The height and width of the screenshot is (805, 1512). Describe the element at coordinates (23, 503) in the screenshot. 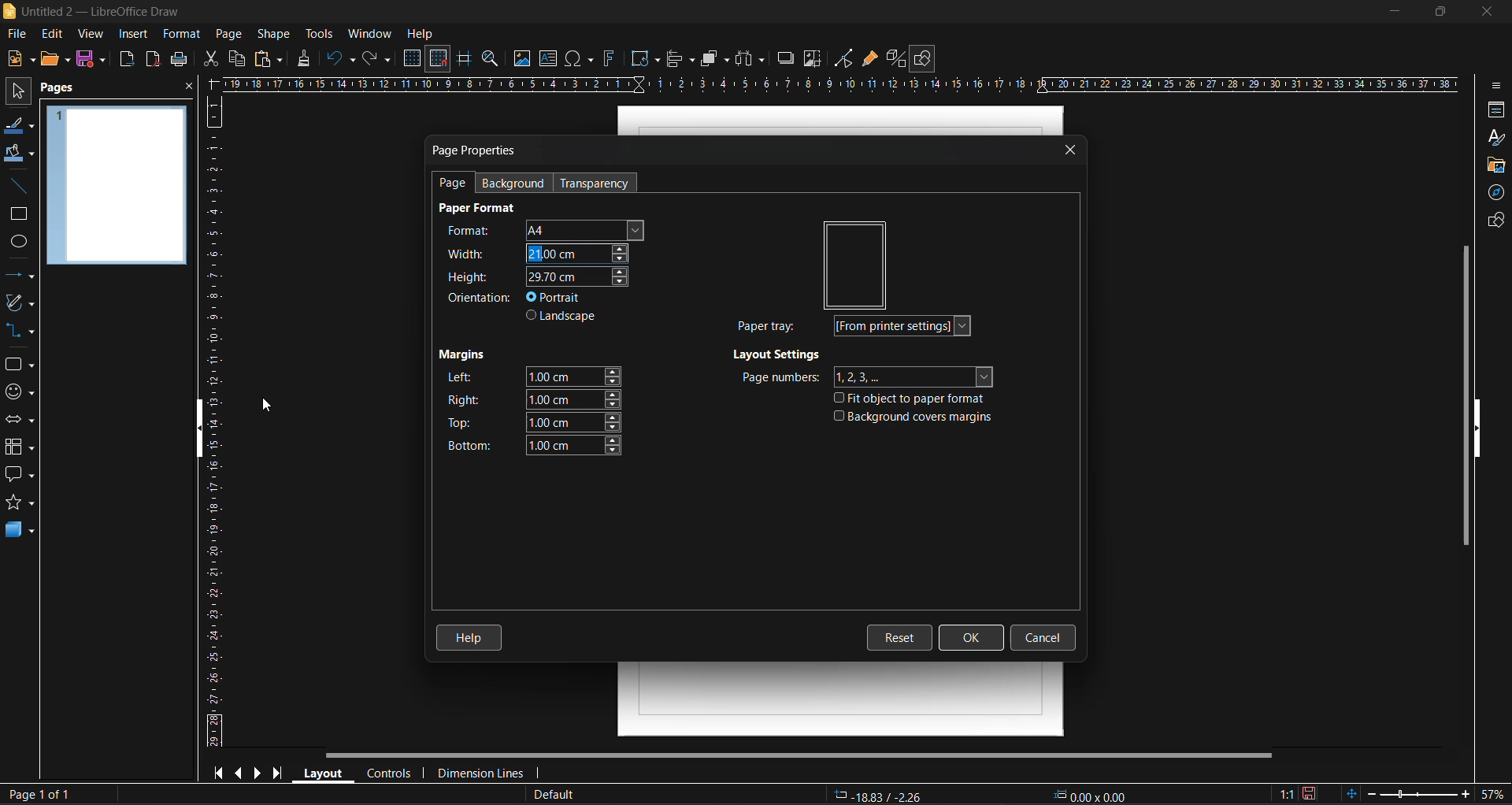

I see `stars and banners` at that location.